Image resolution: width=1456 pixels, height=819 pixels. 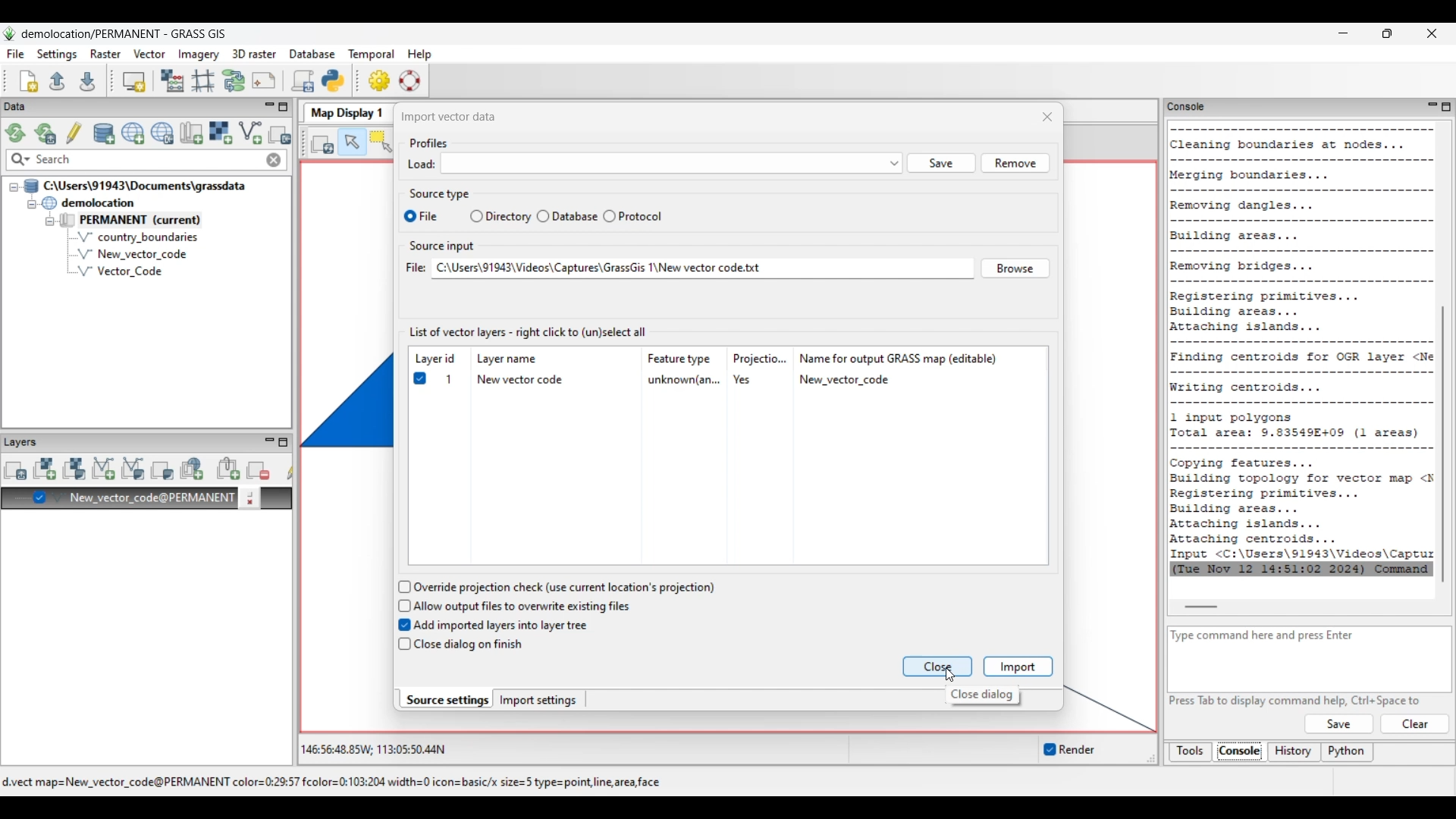 What do you see at coordinates (403, 645) in the screenshot?
I see `checkbox` at bounding box center [403, 645].